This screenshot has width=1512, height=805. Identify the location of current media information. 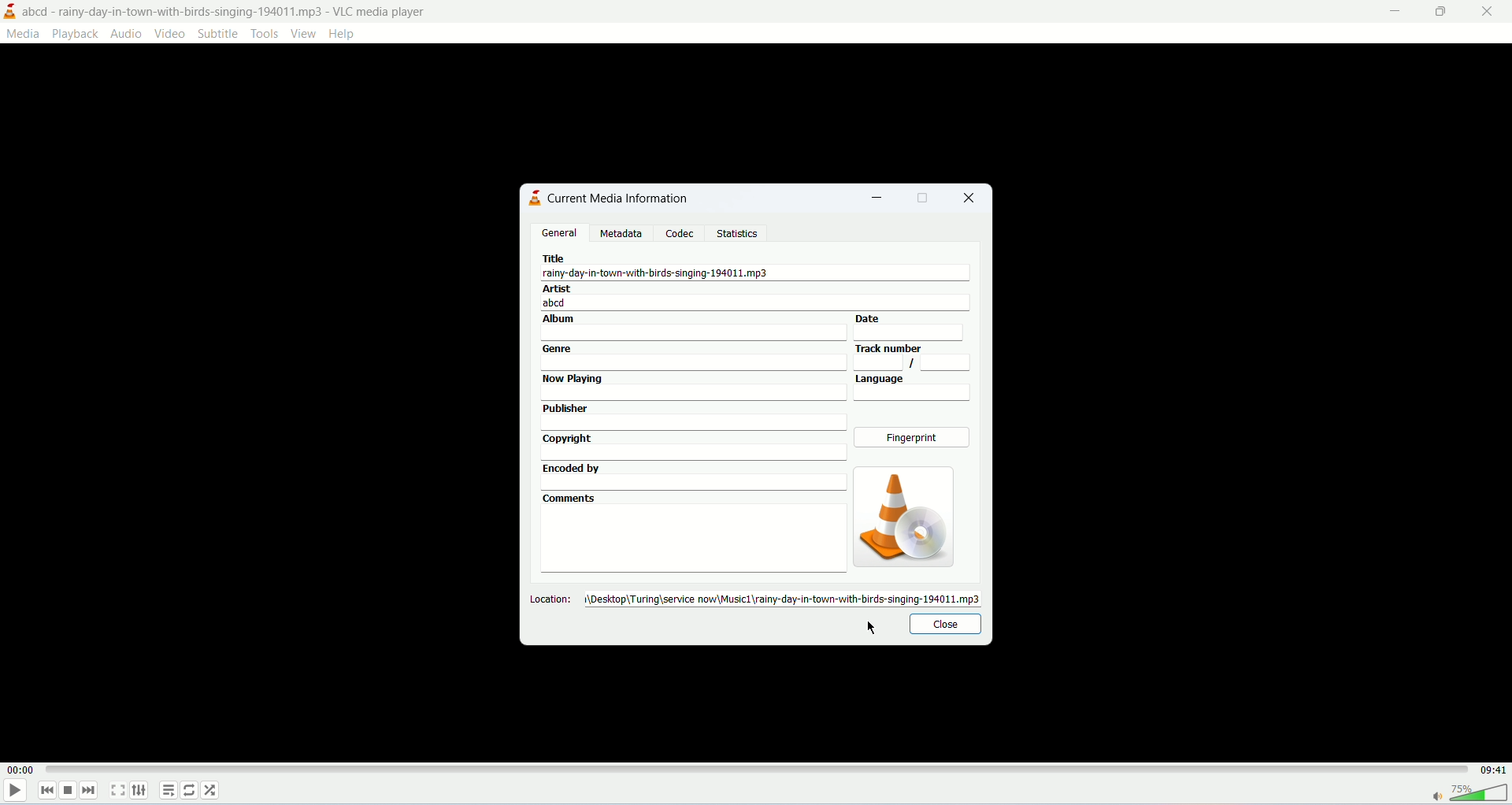
(618, 198).